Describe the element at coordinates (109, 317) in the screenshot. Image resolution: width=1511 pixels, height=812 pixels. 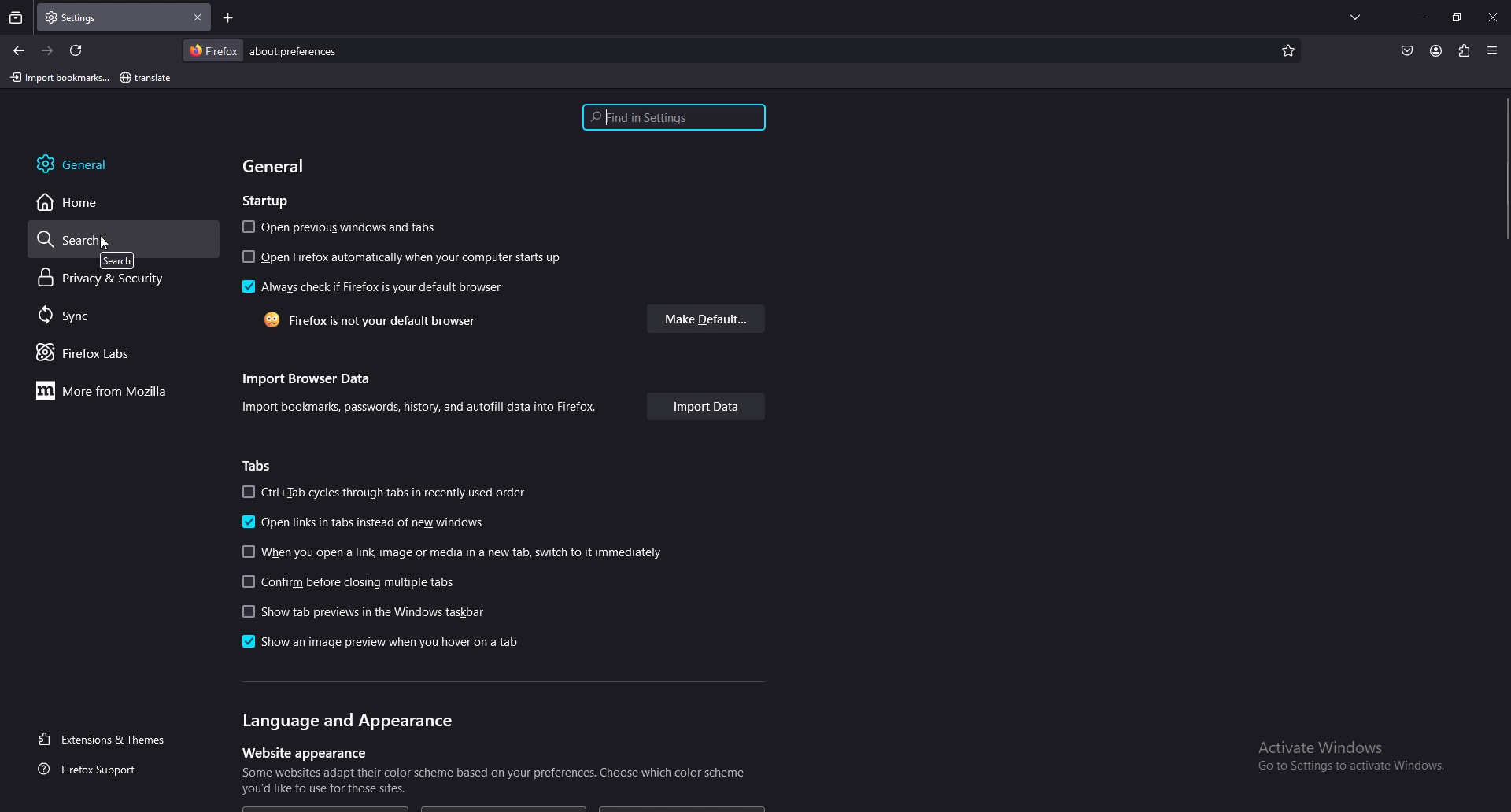
I see `sync` at that location.